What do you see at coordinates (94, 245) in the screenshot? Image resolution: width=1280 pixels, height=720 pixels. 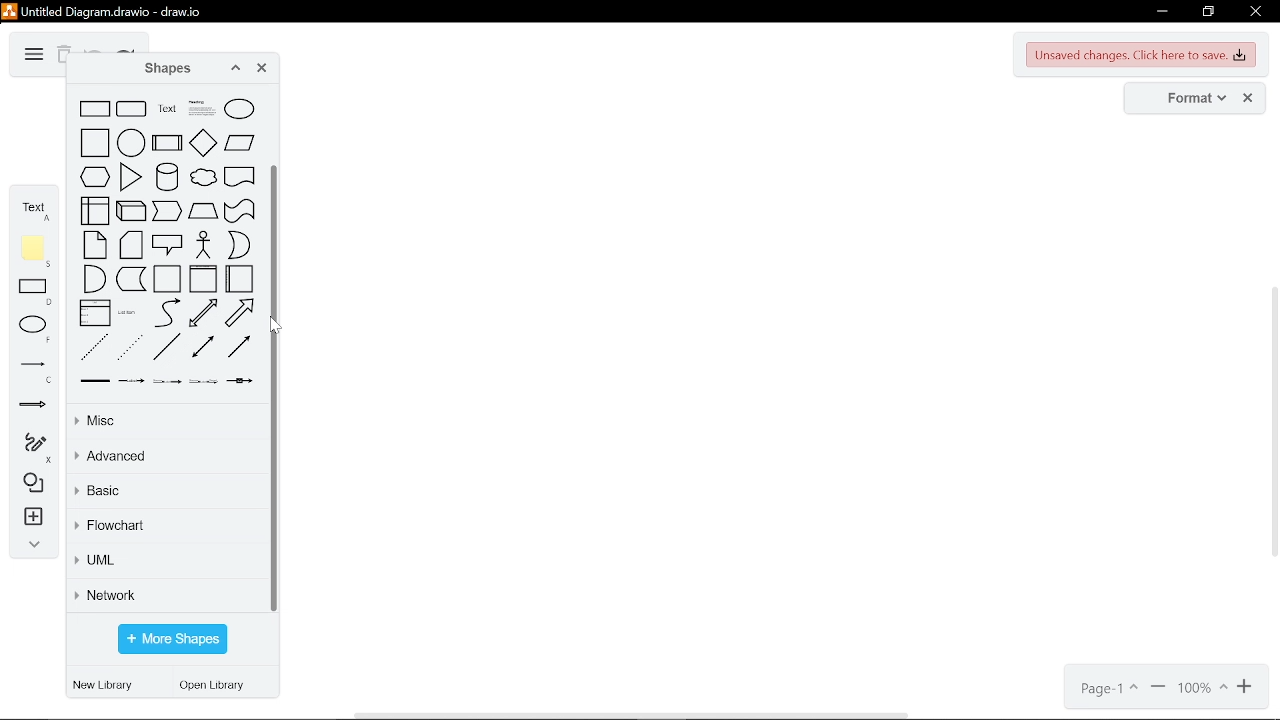 I see `note` at bounding box center [94, 245].